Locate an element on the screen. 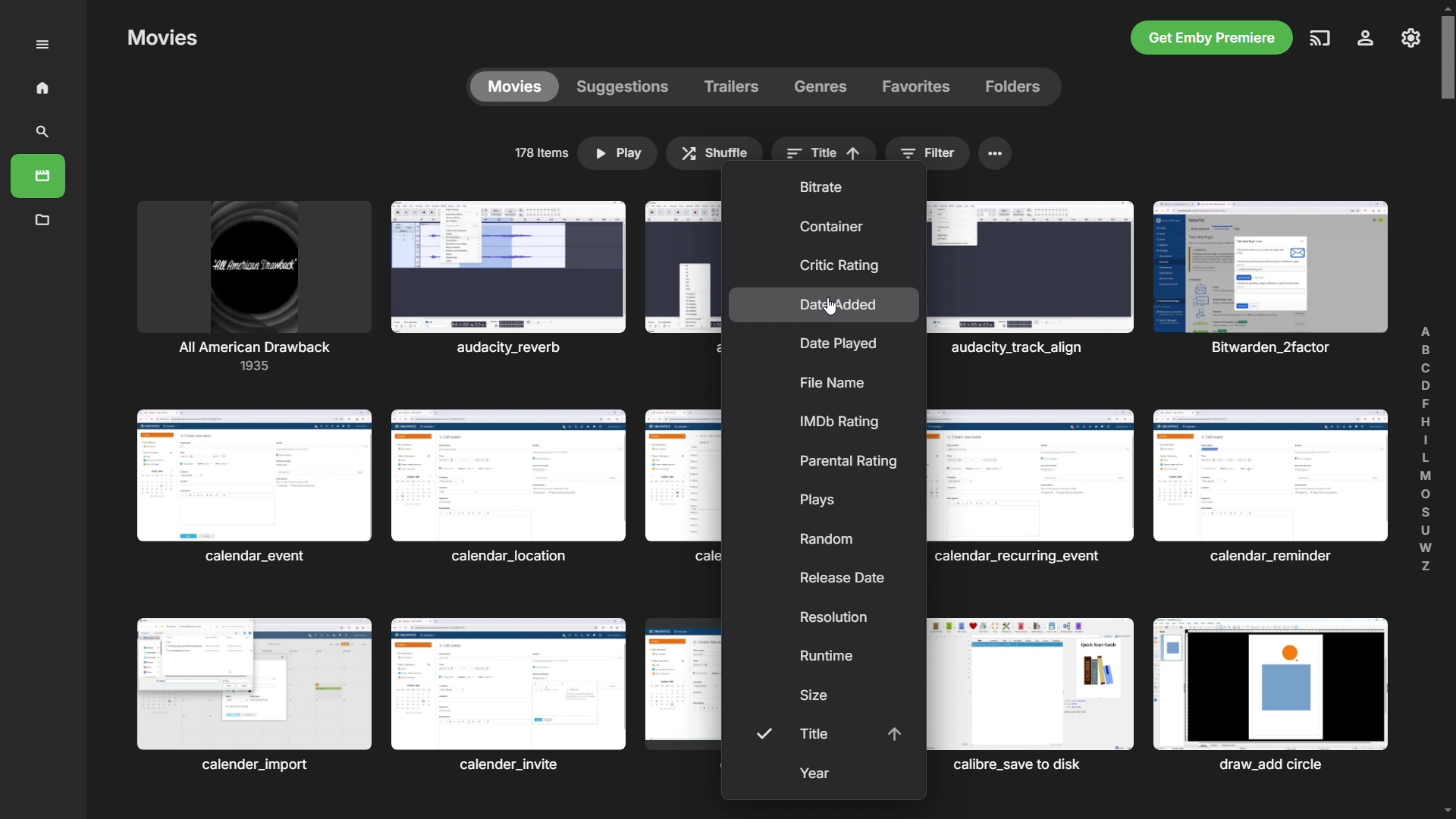 This screenshot has width=1456, height=819. suggestions is located at coordinates (628, 87).